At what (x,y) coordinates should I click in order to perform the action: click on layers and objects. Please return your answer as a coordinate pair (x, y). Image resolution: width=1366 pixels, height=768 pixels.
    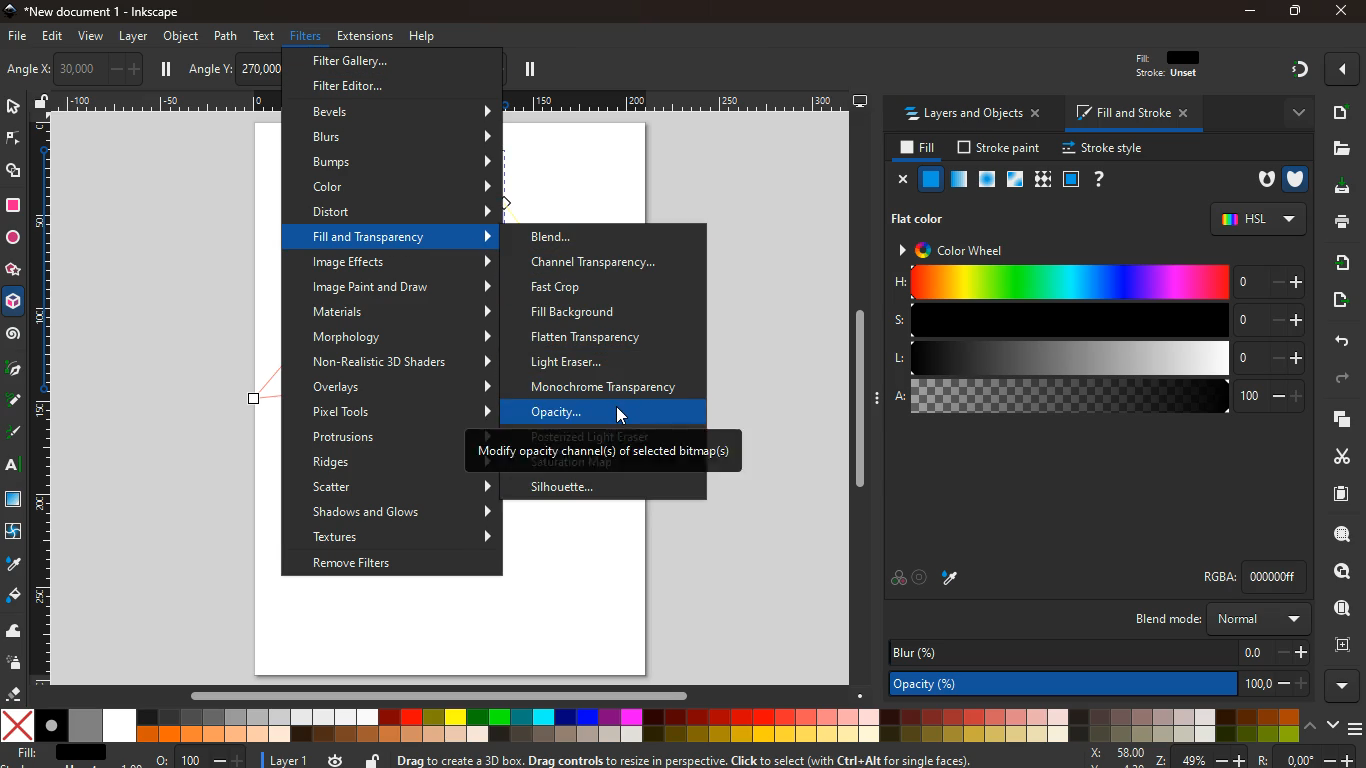
    Looking at the image, I should click on (978, 115).